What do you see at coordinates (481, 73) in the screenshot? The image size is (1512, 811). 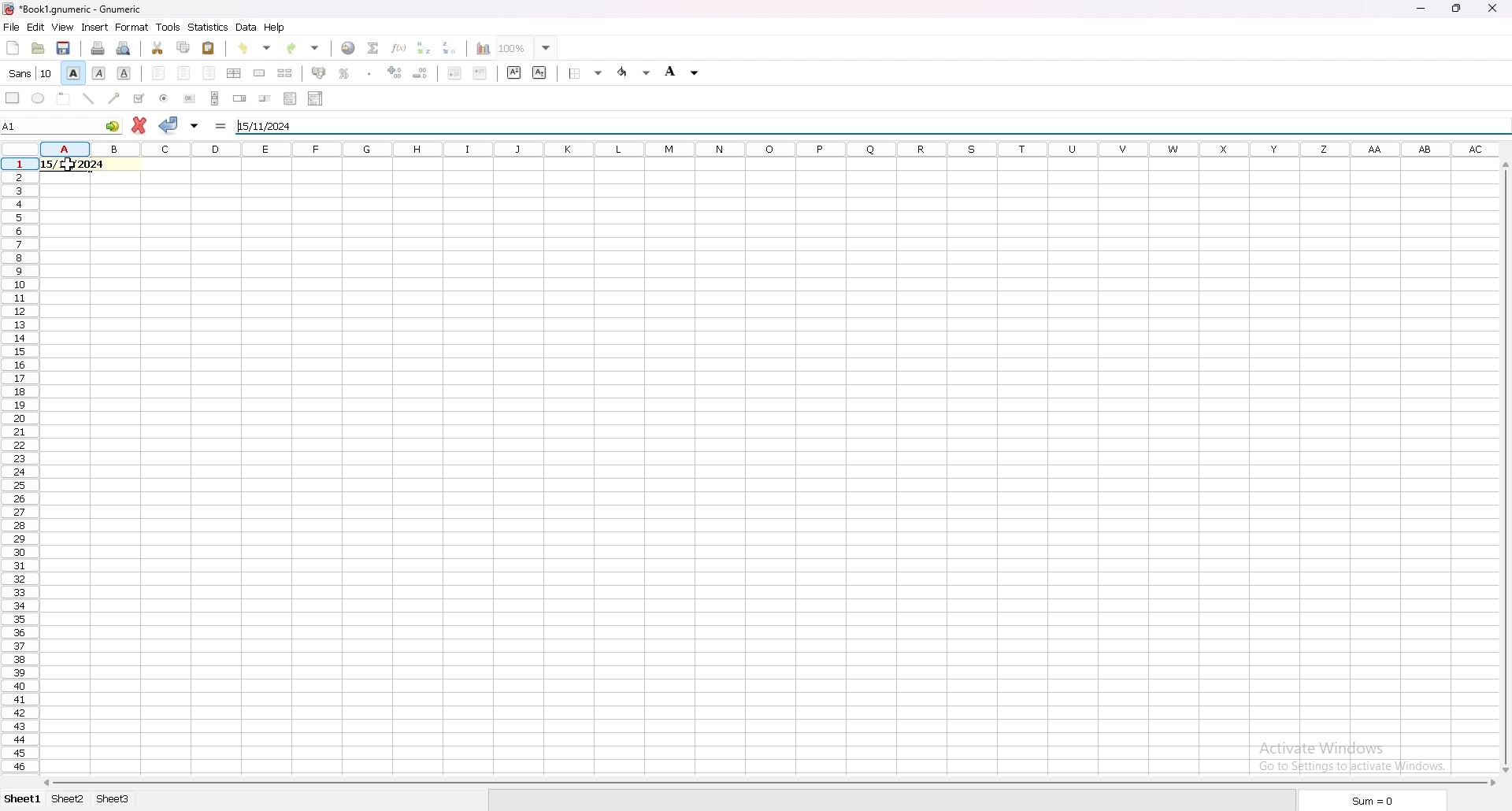 I see `increase indent` at bounding box center [481, 73].